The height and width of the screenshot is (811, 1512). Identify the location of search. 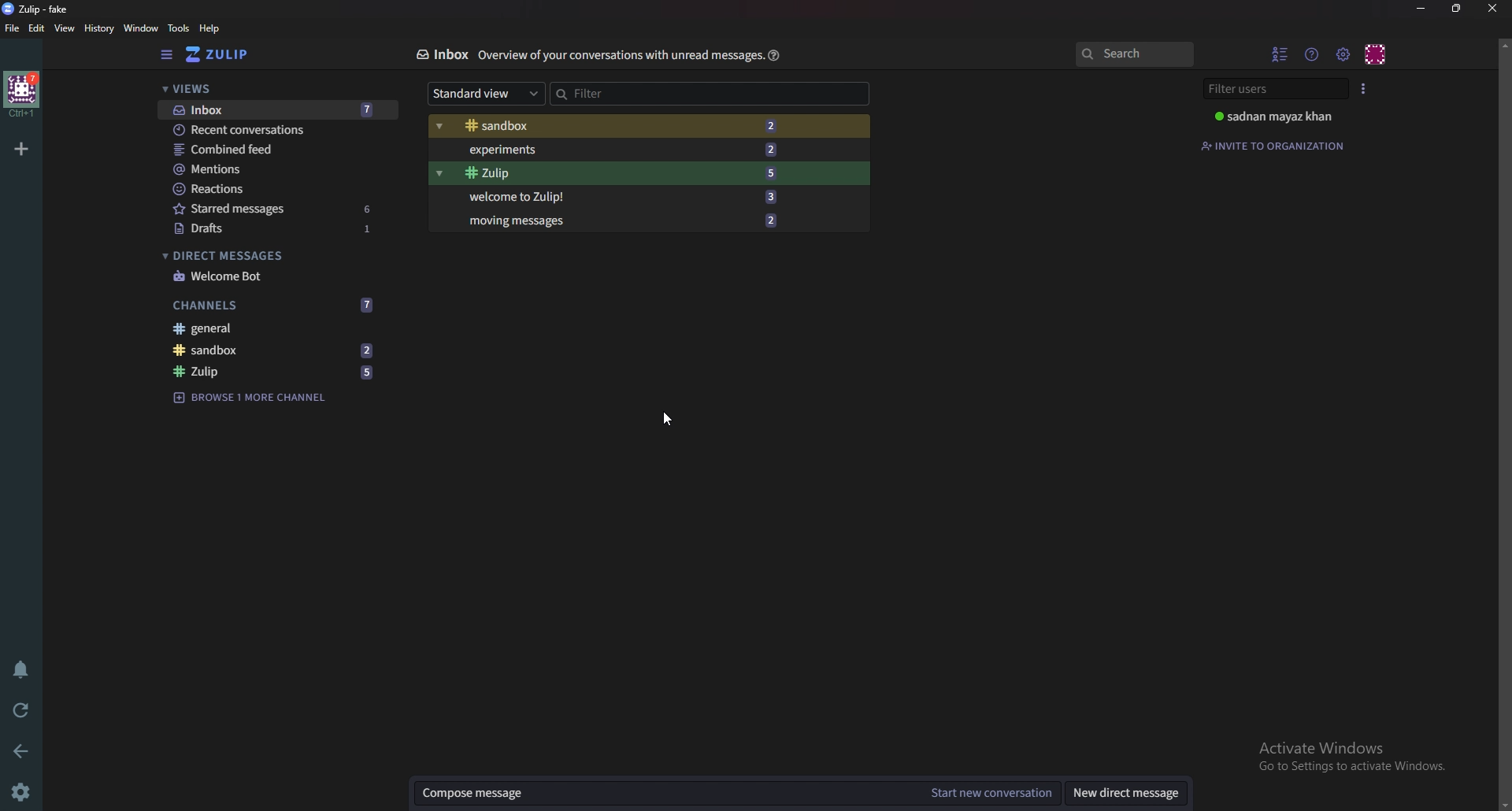
(1135, 55).